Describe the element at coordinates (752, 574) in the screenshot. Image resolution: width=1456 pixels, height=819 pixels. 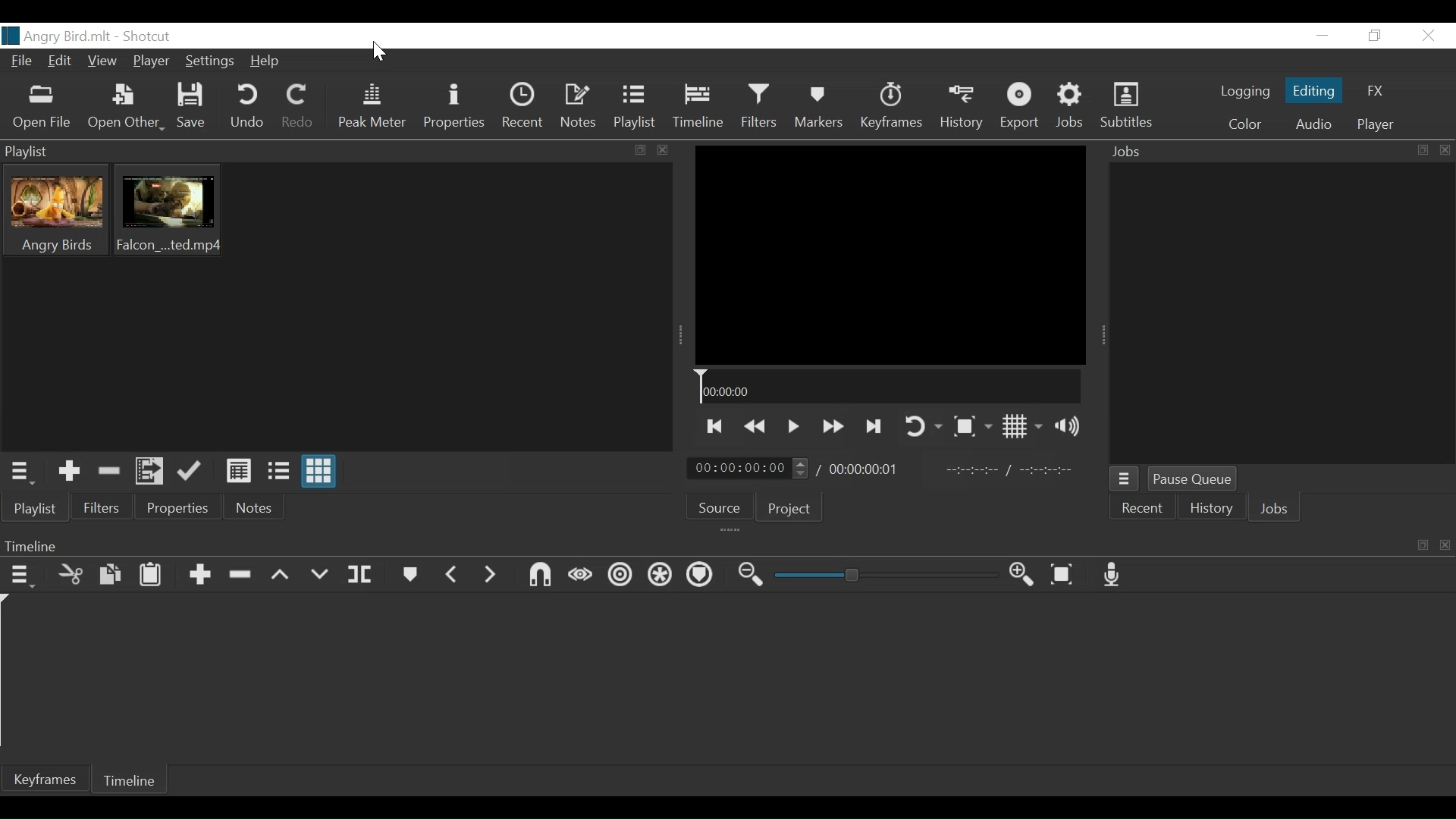
I see `Zoom timeline out` at that location.